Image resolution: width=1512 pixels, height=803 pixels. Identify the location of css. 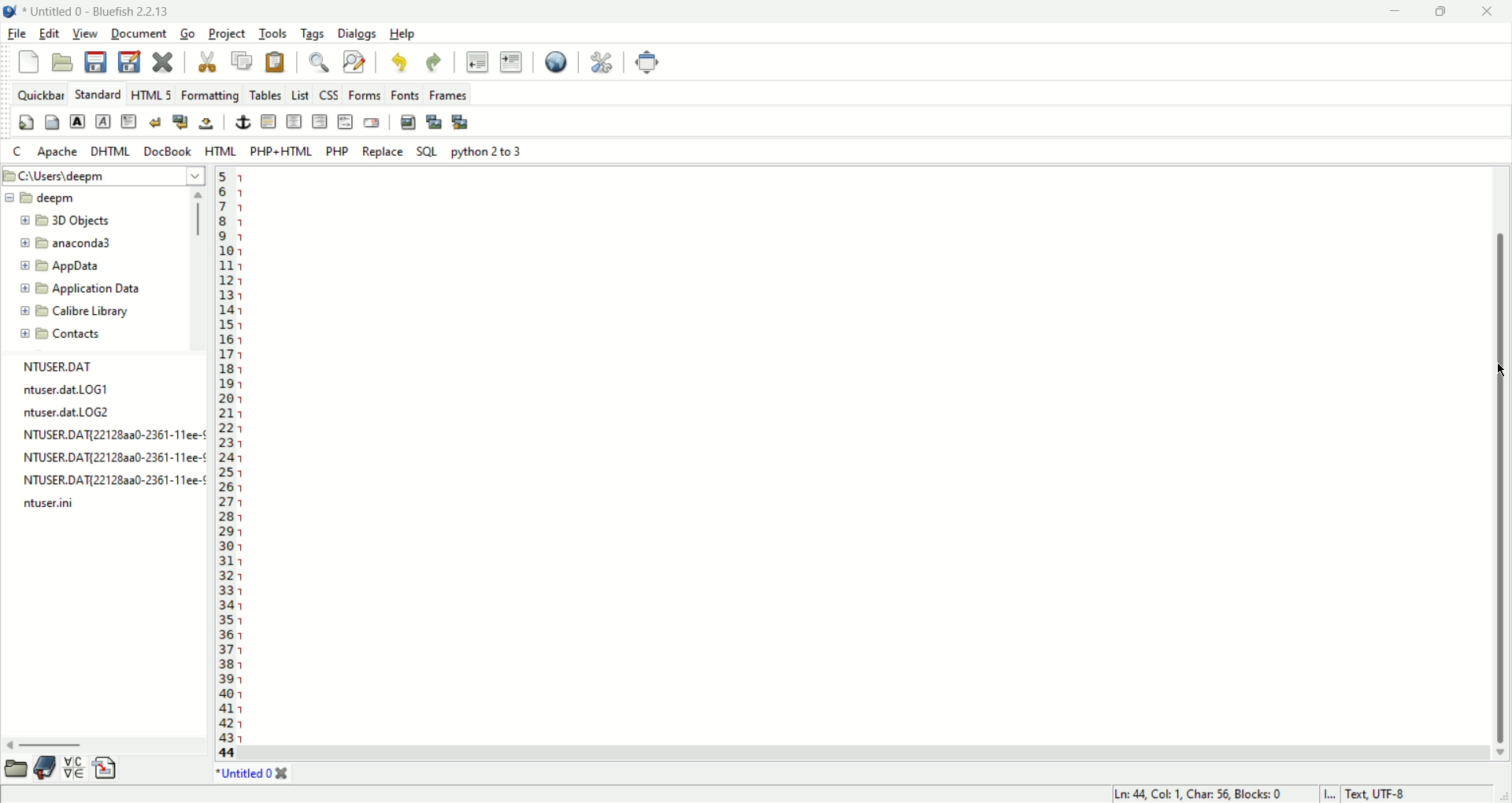
(328, 94).